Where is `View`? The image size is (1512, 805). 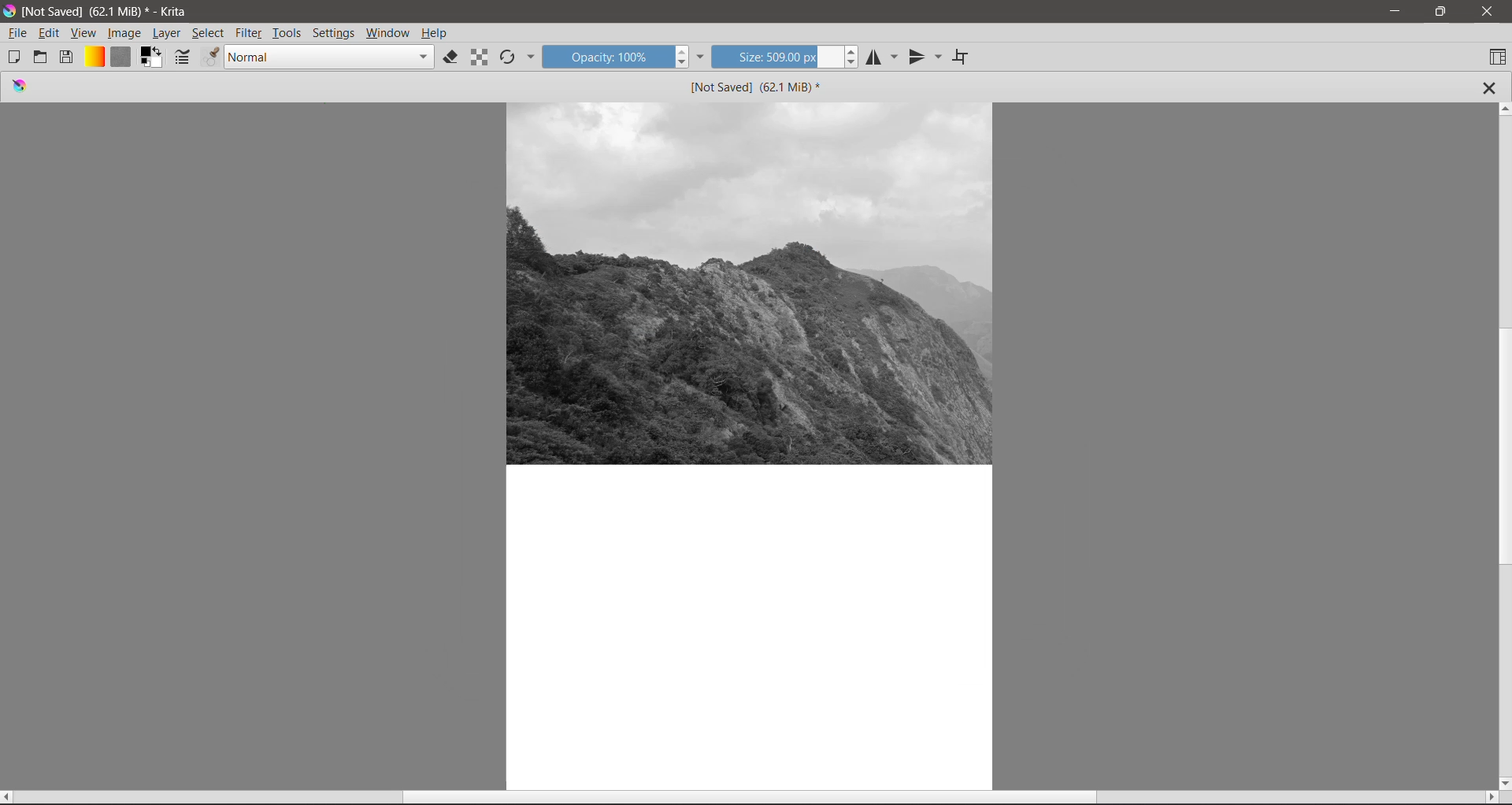
View is located at coordinates (83, 33).